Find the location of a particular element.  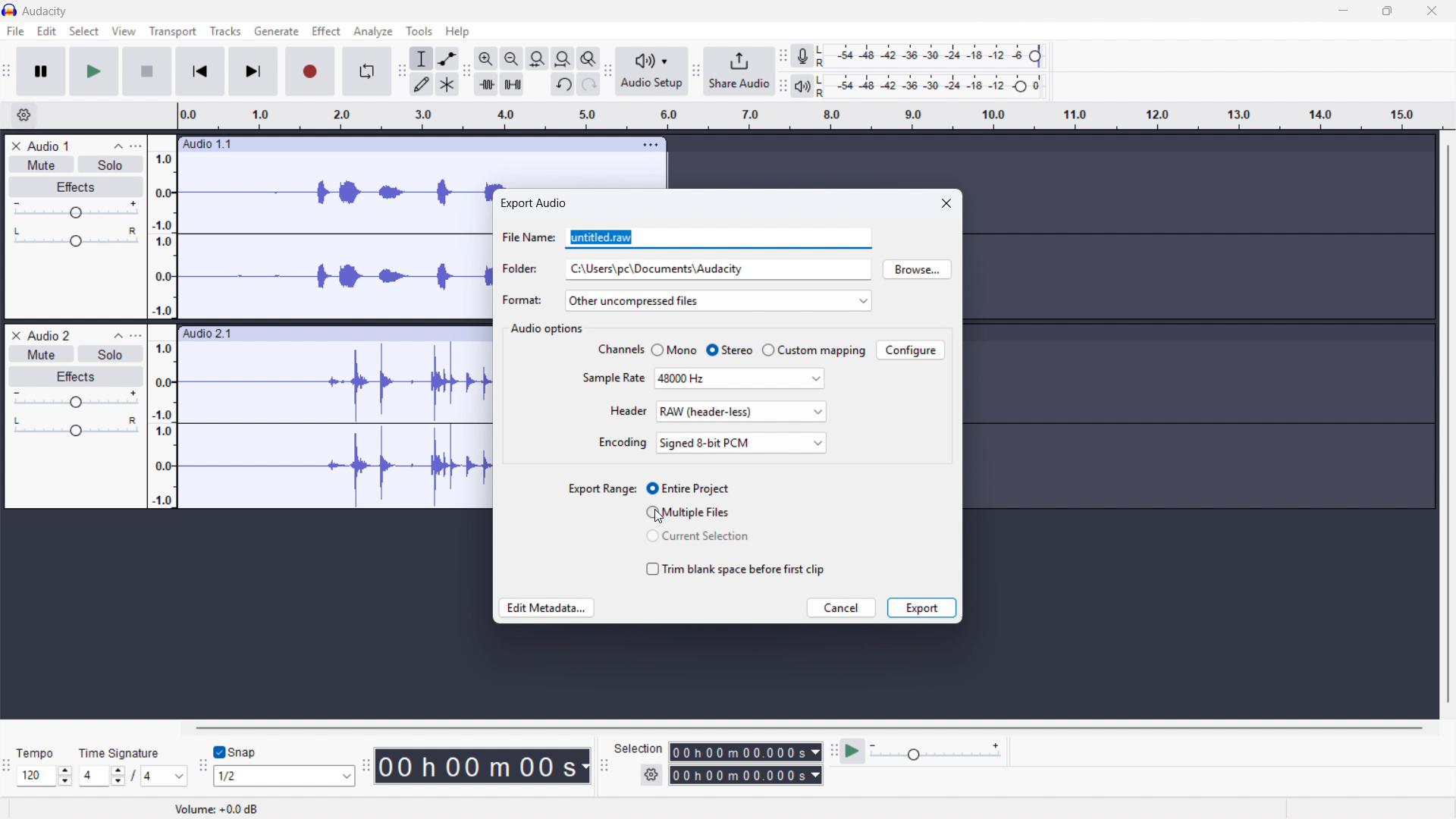

encoding is located at coordinates (623, 442).